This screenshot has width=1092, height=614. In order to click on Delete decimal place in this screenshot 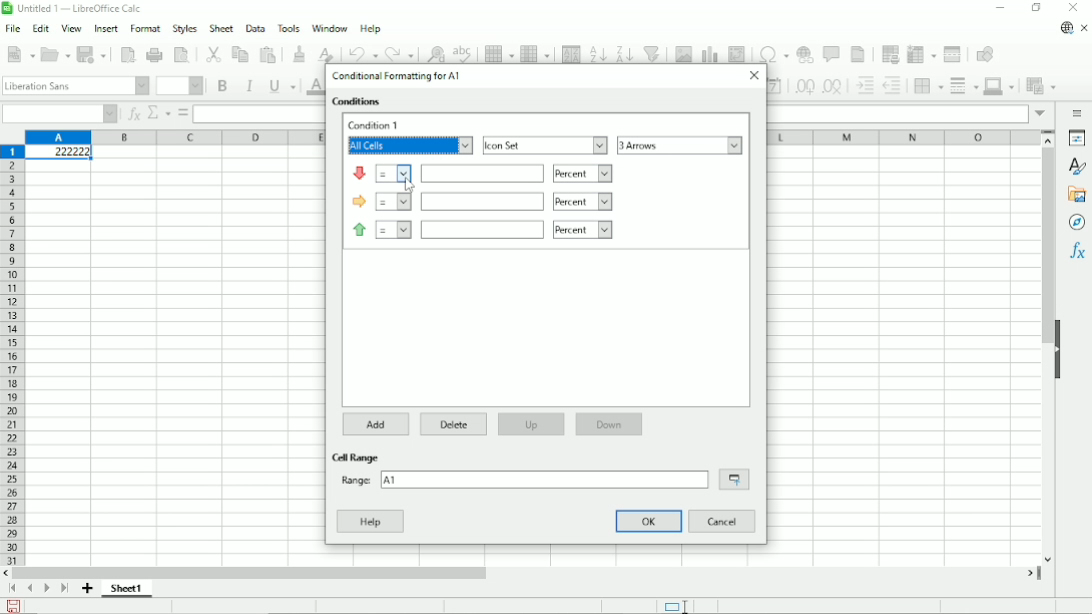, I will do `click(834, 87)`.